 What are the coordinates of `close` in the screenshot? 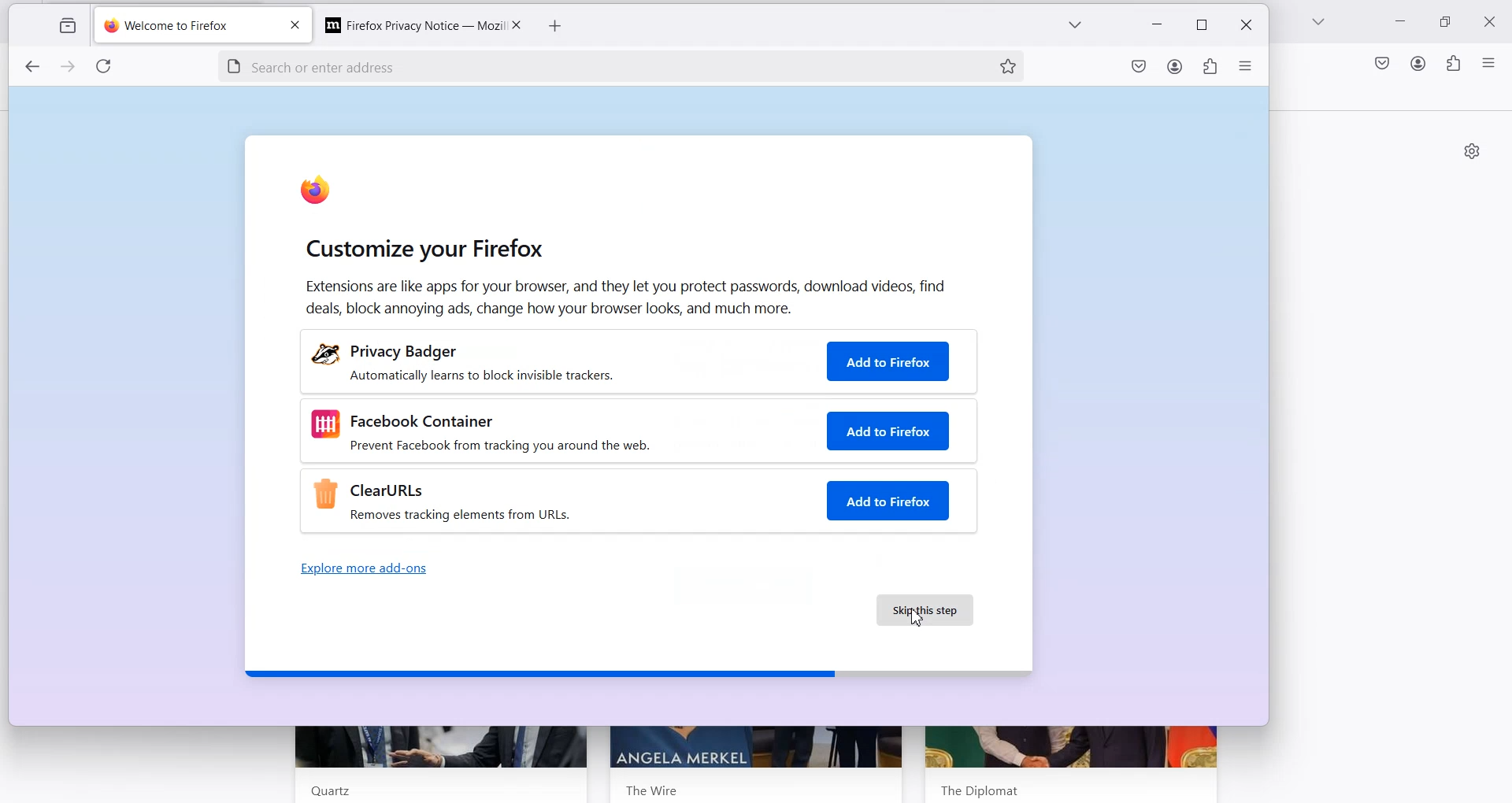 It's located at (1243, 26).